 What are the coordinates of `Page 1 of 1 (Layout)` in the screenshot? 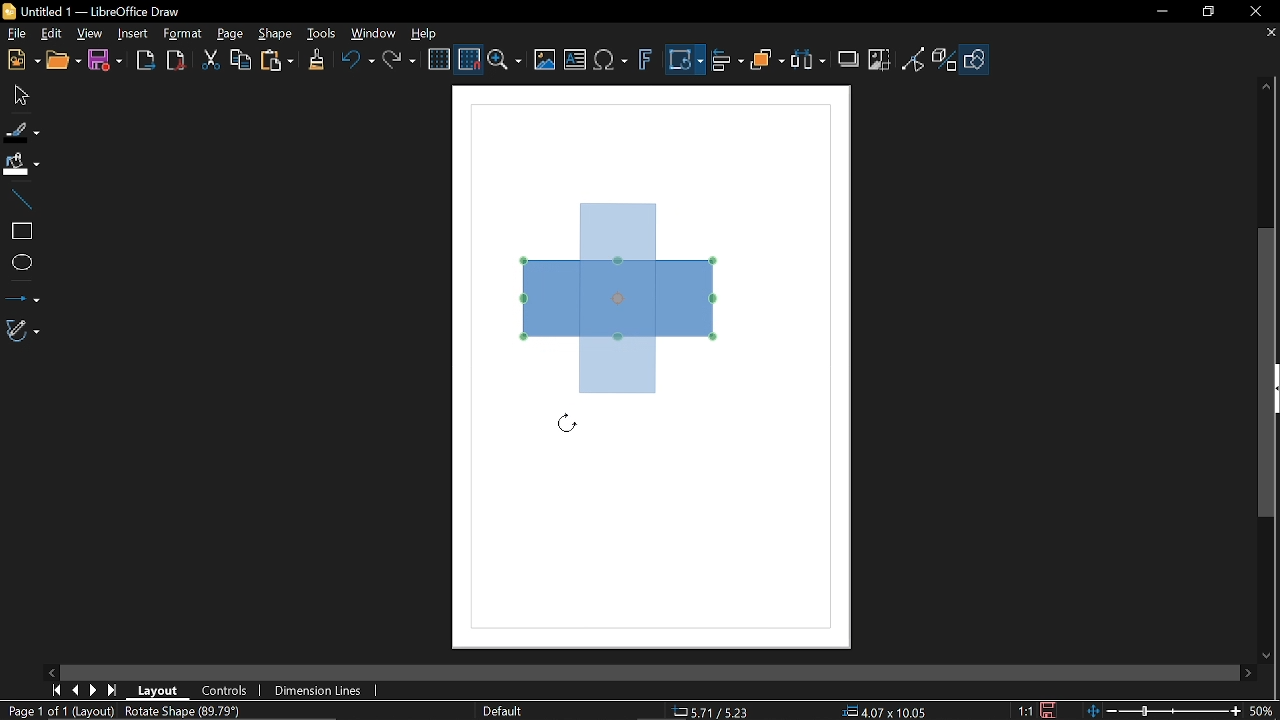 It's located at (60, 712).